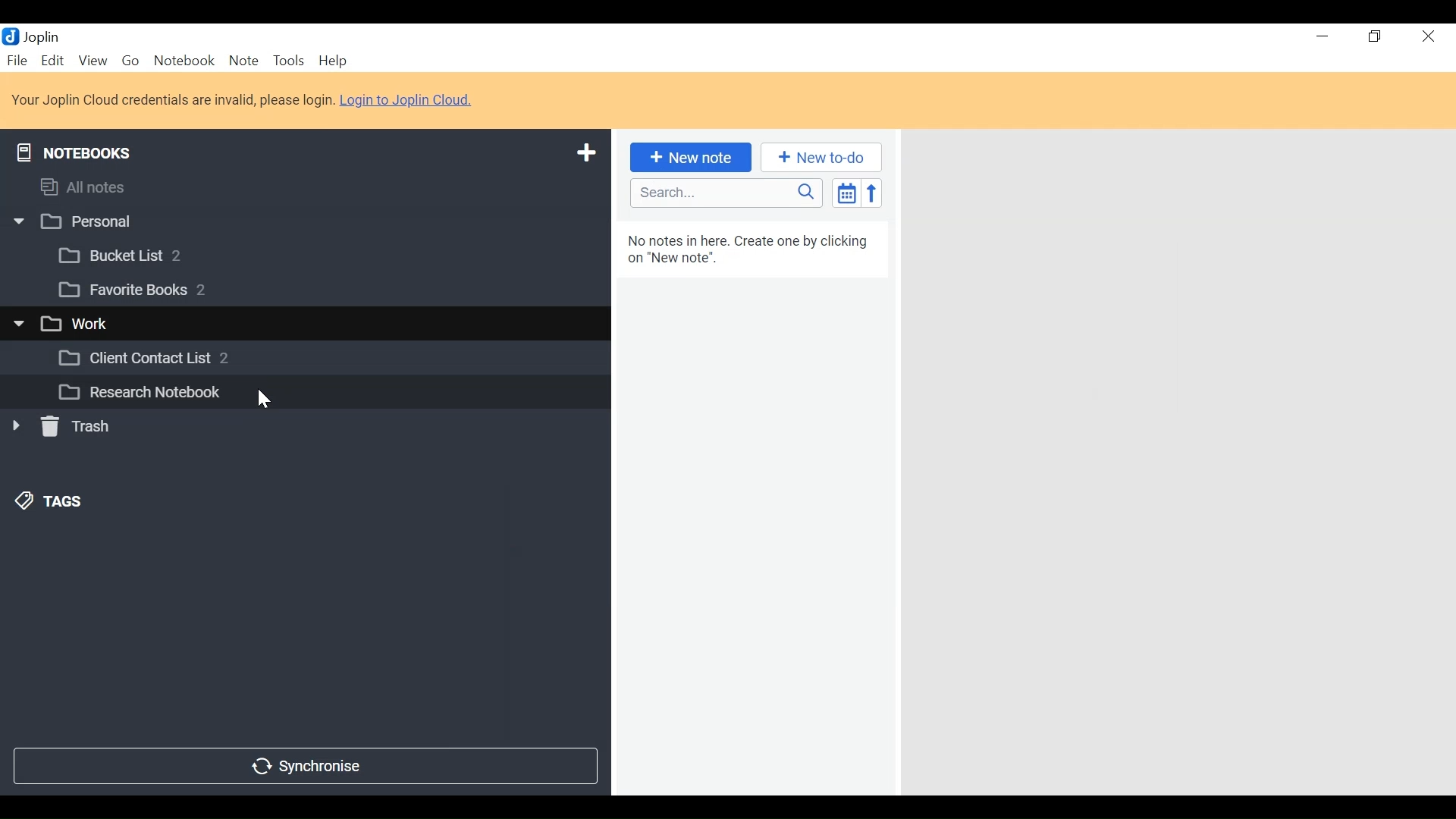 This screenshot has height=819, width=1456. I want to click on Login to Joplin Cloud, so click(172, 100).